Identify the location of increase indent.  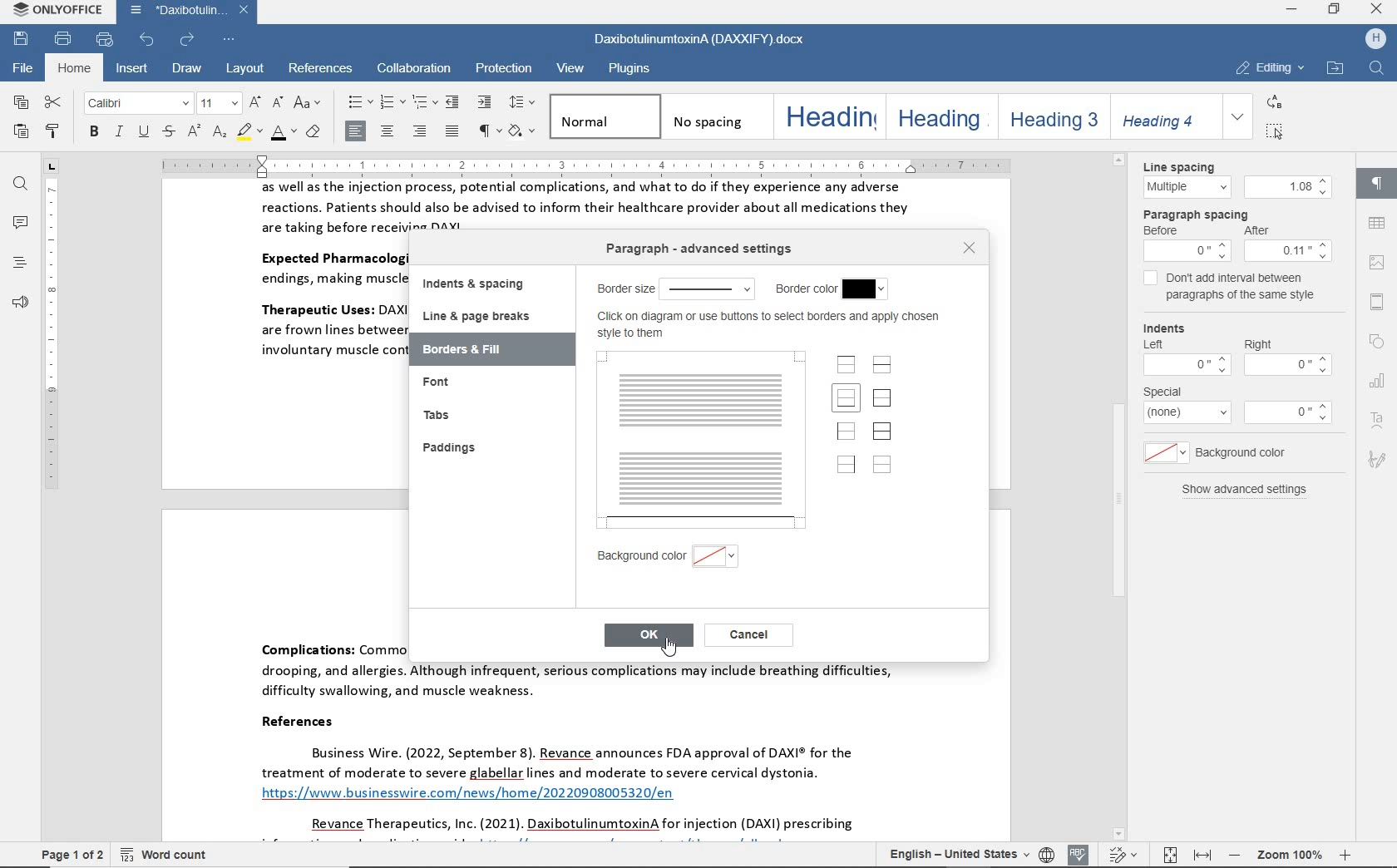
(486, 102).